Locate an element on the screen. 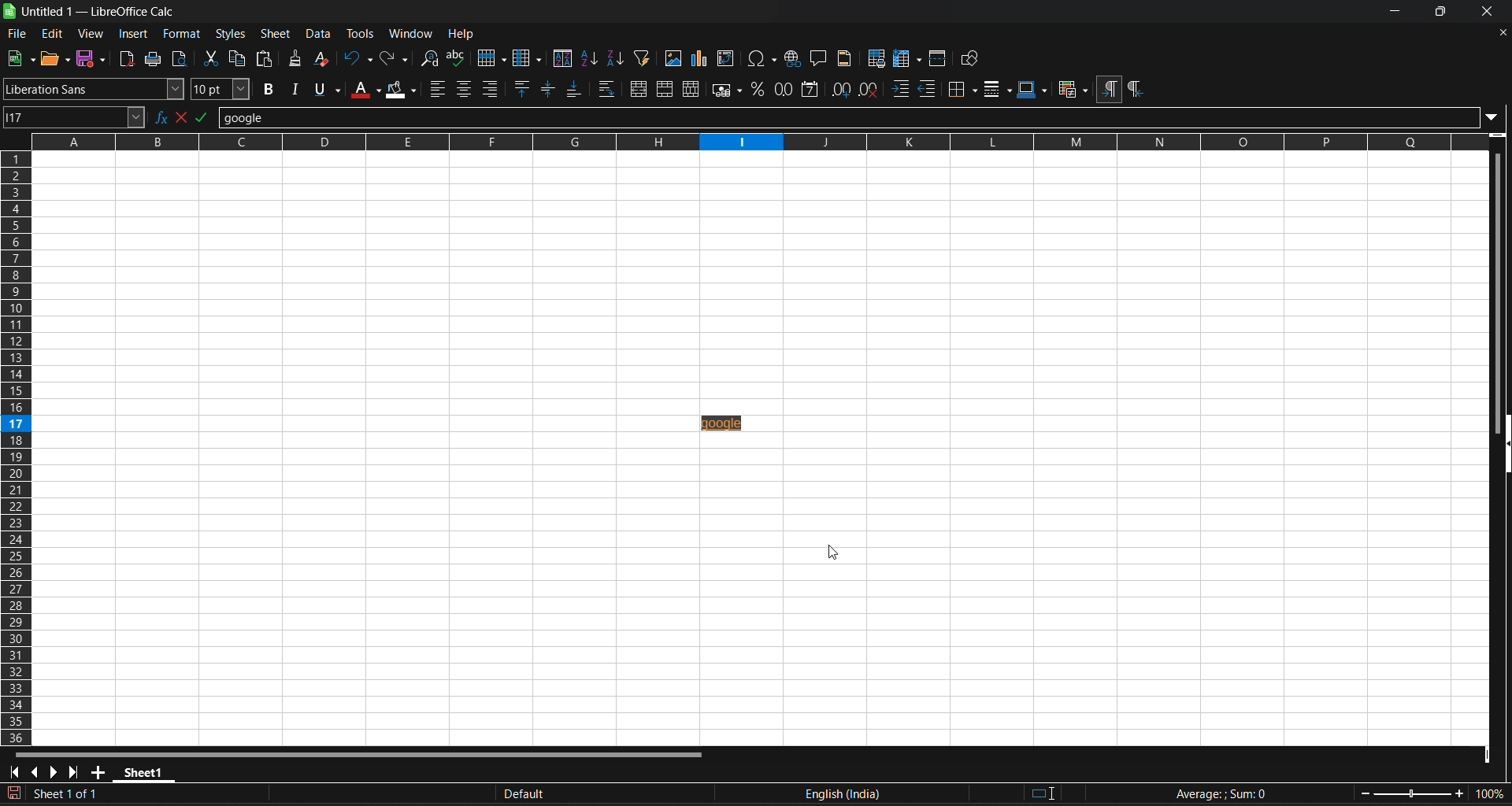  select function is located at coordinates (187, 117).